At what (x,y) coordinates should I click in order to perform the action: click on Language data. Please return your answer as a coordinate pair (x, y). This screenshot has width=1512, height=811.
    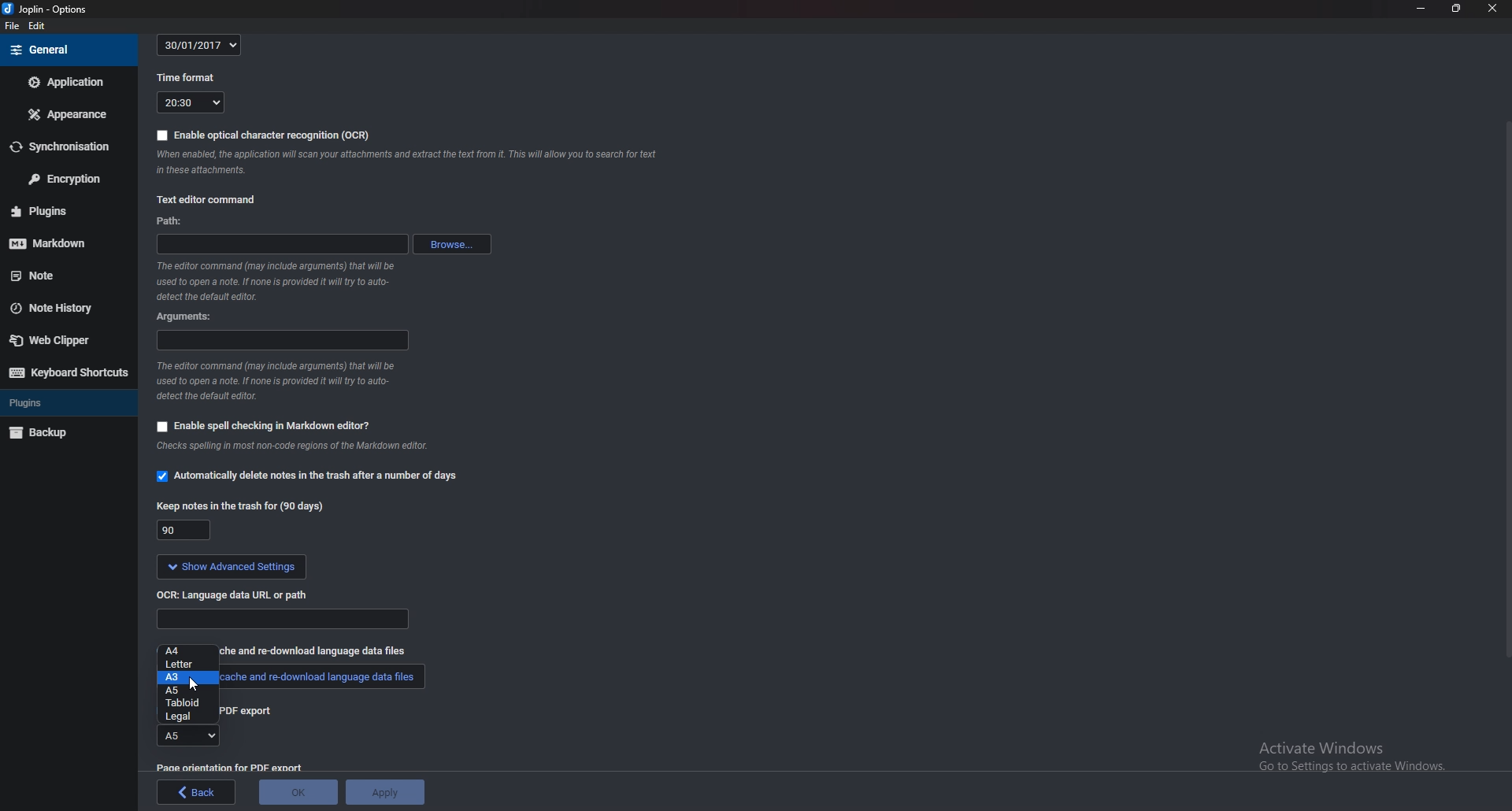
    Looking at the image, I should click on (284, 620).